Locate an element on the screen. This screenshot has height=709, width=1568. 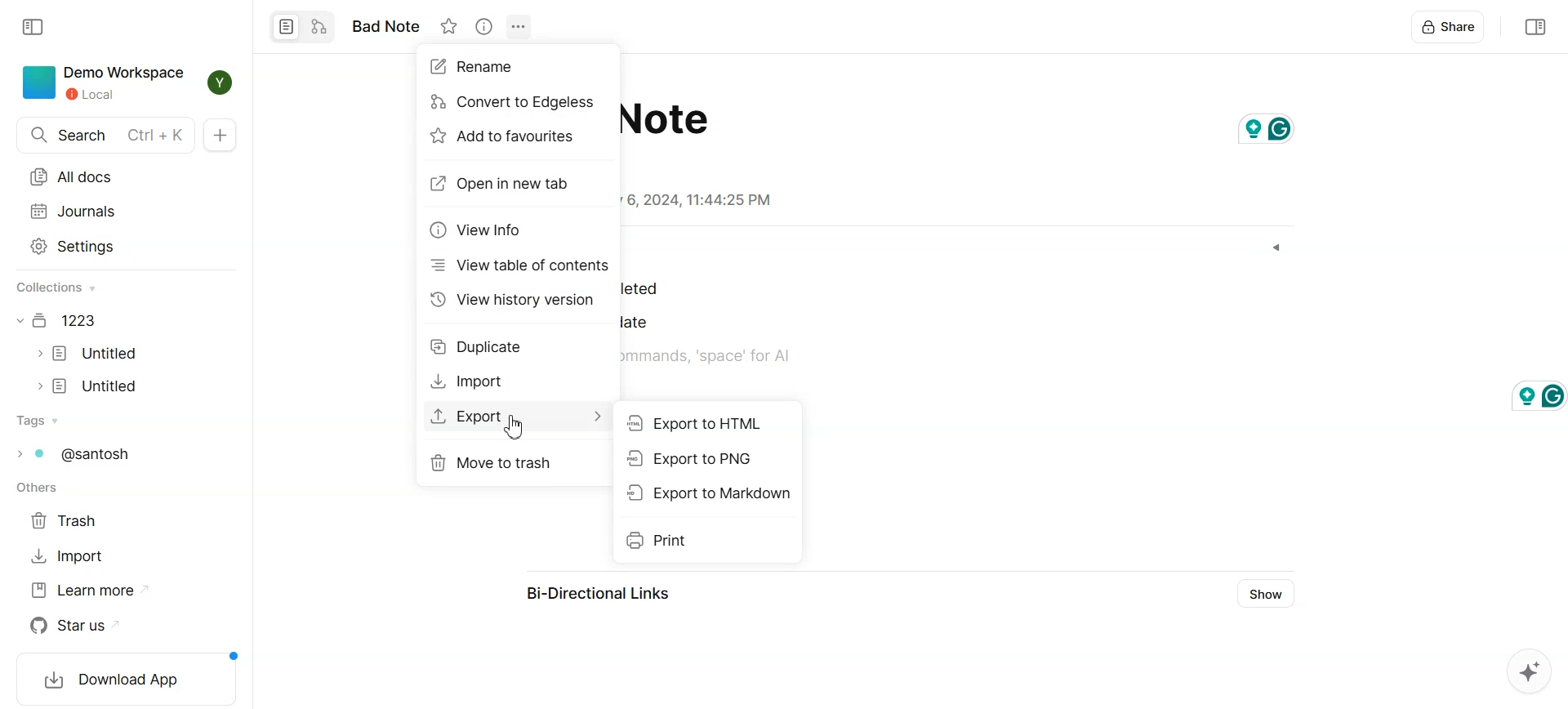
Export to HTML is located at coordinates (706, 421).